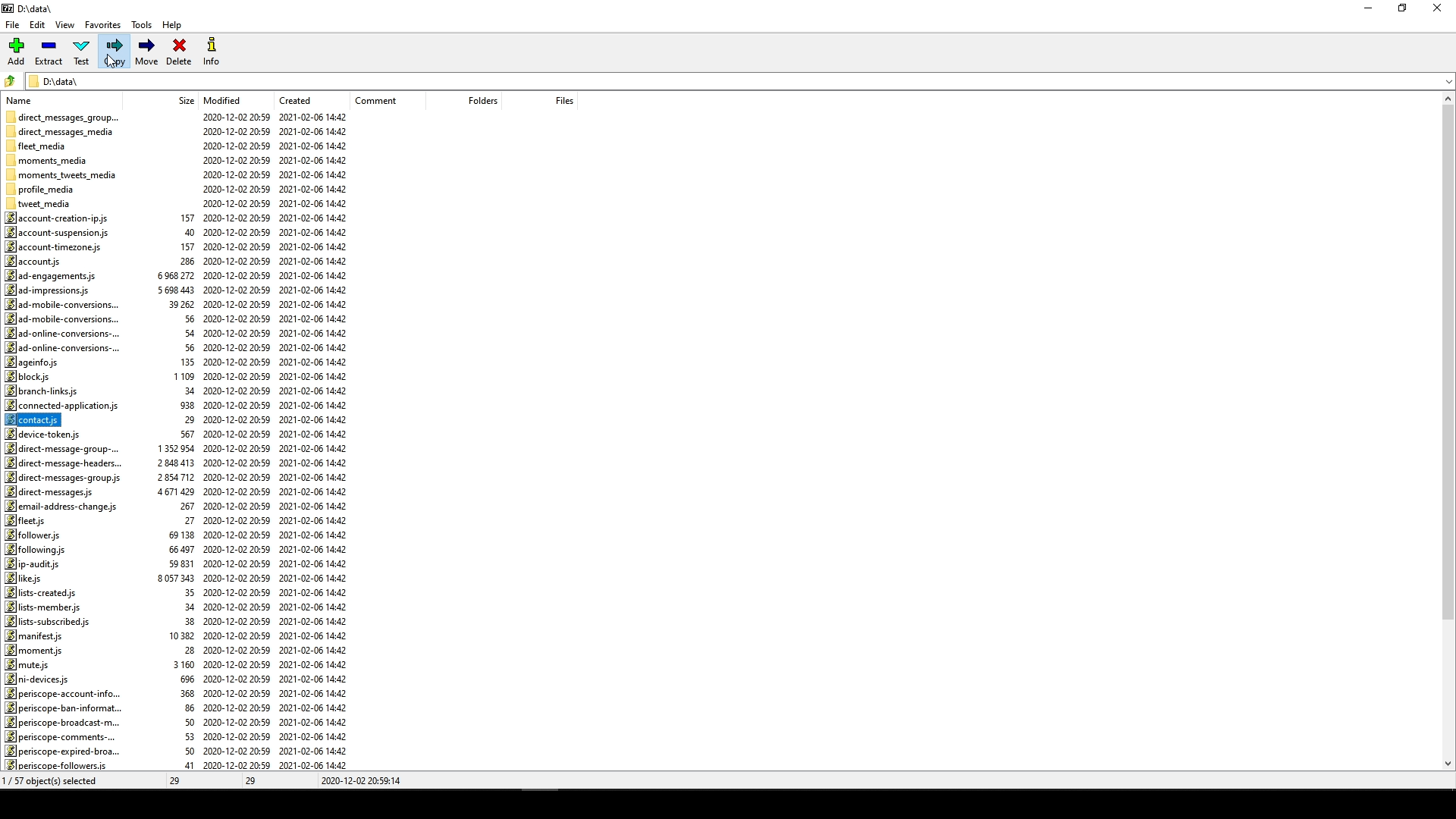  What do you see at coordinates (42, 190) in the screenshot?
I see `profile_media` at bounding box center [42, 190].